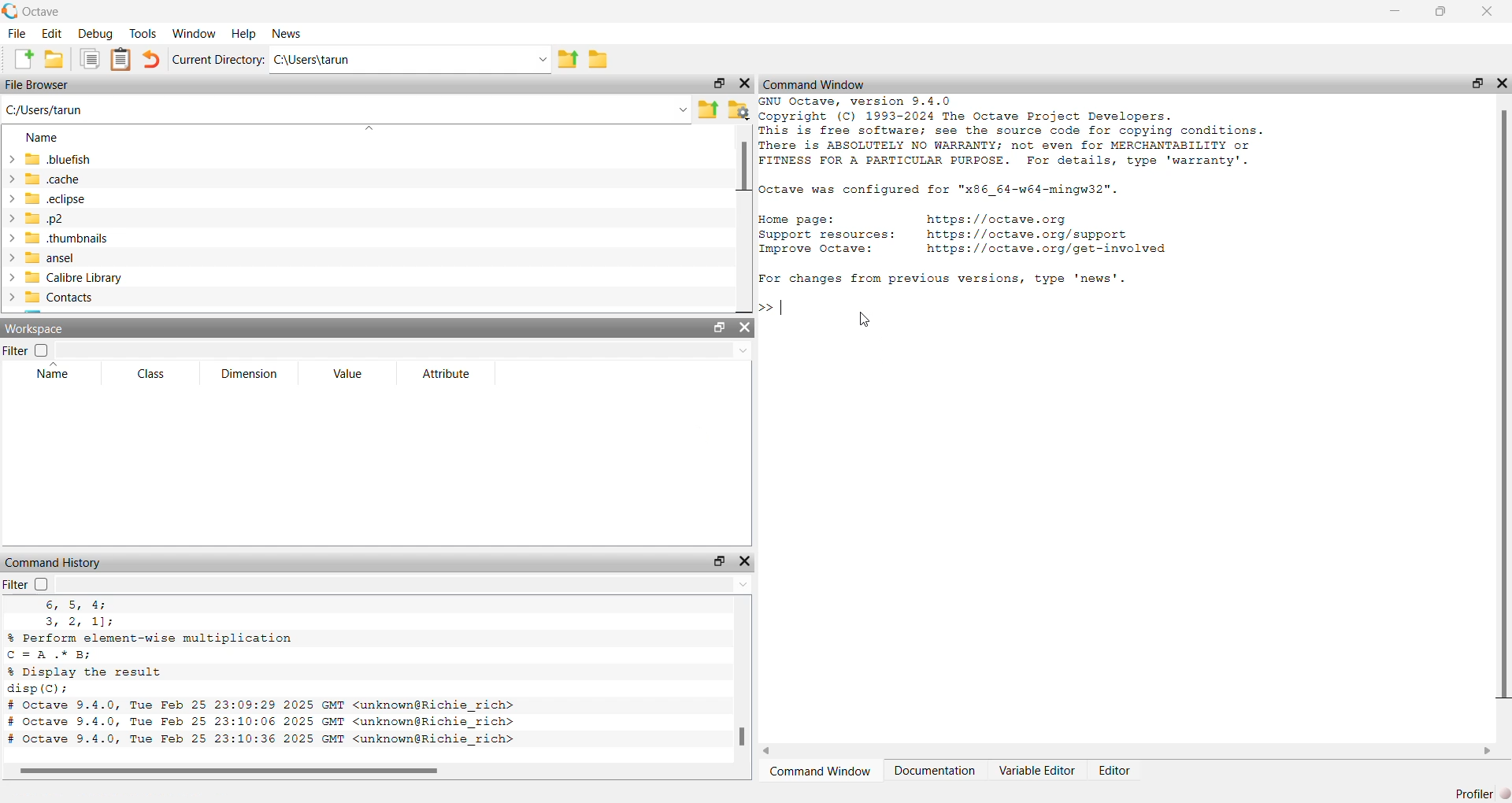 Image resolution: width=1512 pixels, height=803 pixels. Describe the element at coordinates (403, 350) in the screenshot. I see `Dropdown` at that location.